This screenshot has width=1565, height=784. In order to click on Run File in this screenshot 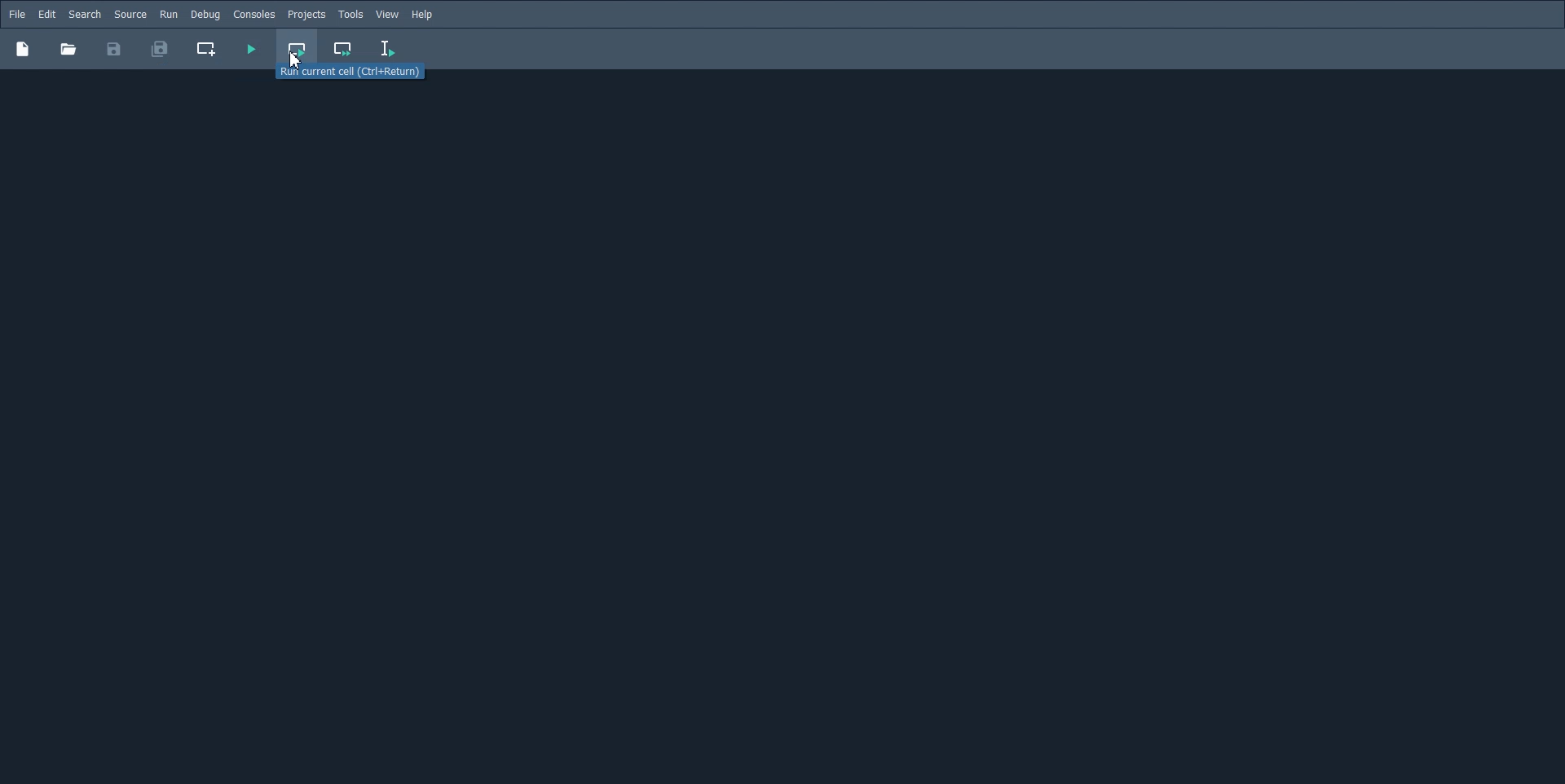, I will do `click(250, 49)`.